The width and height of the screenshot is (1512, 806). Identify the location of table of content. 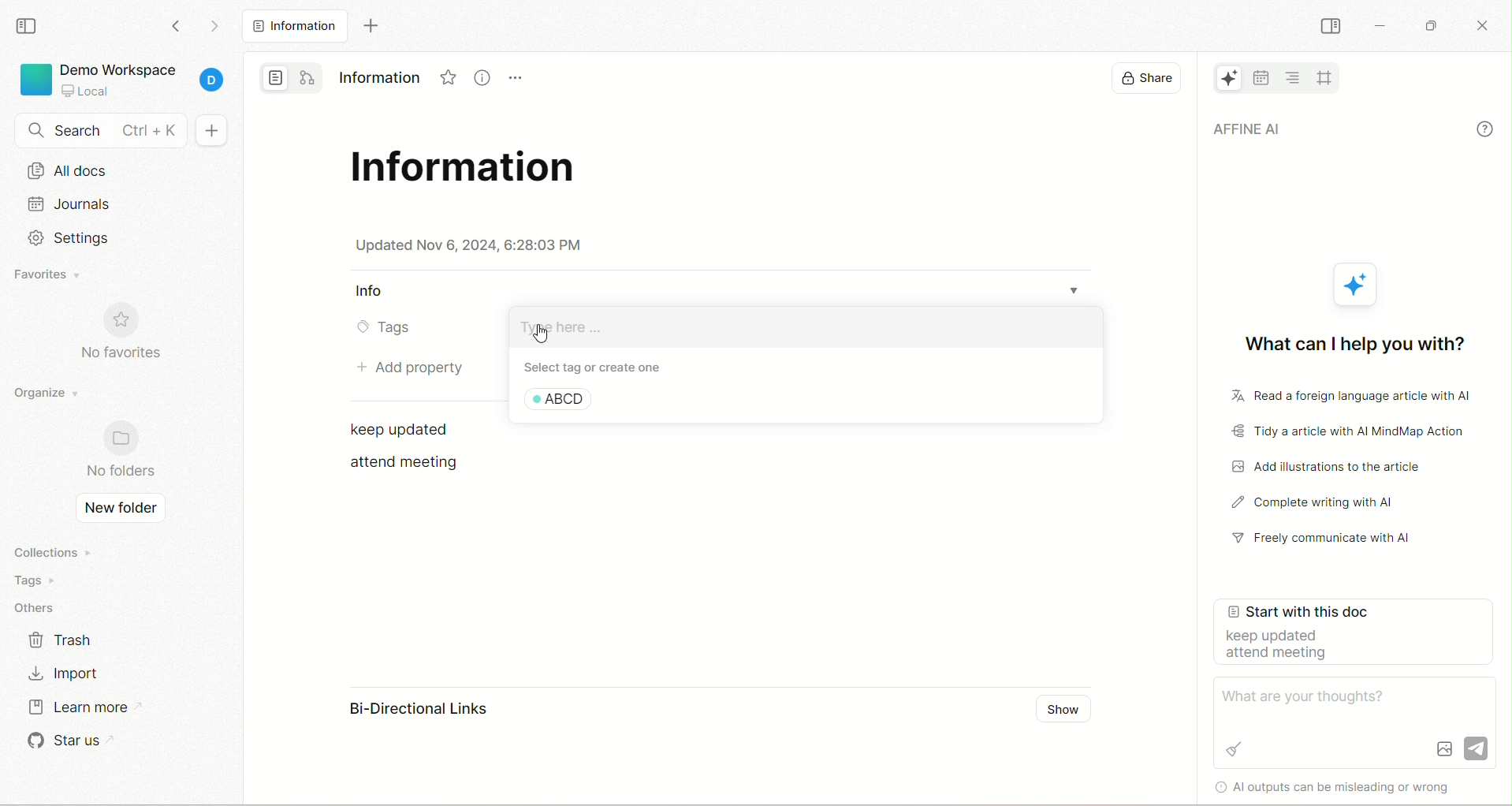
(1294, 76).